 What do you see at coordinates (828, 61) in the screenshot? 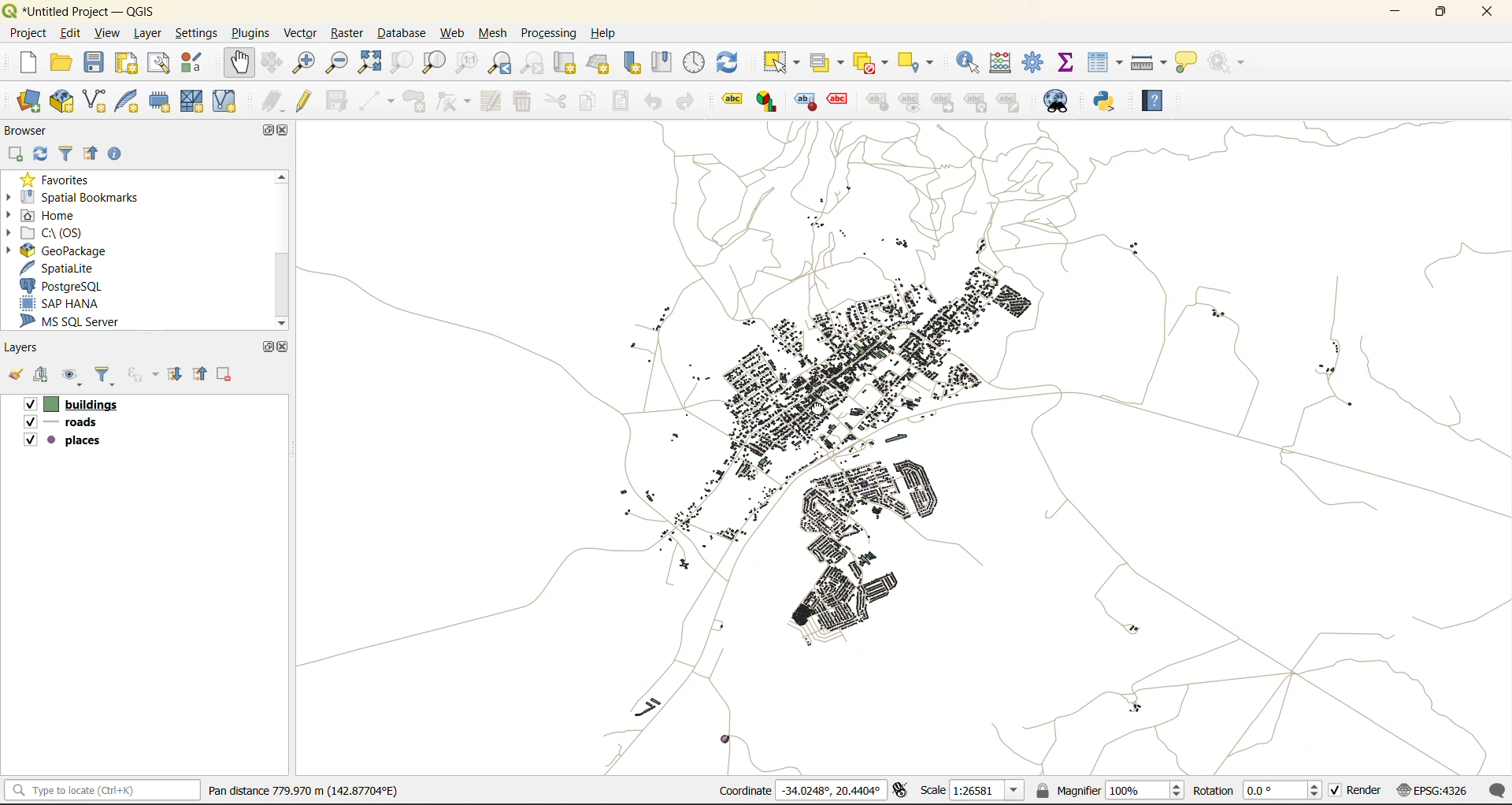
I see `select value` at bounding box center [828, 61].